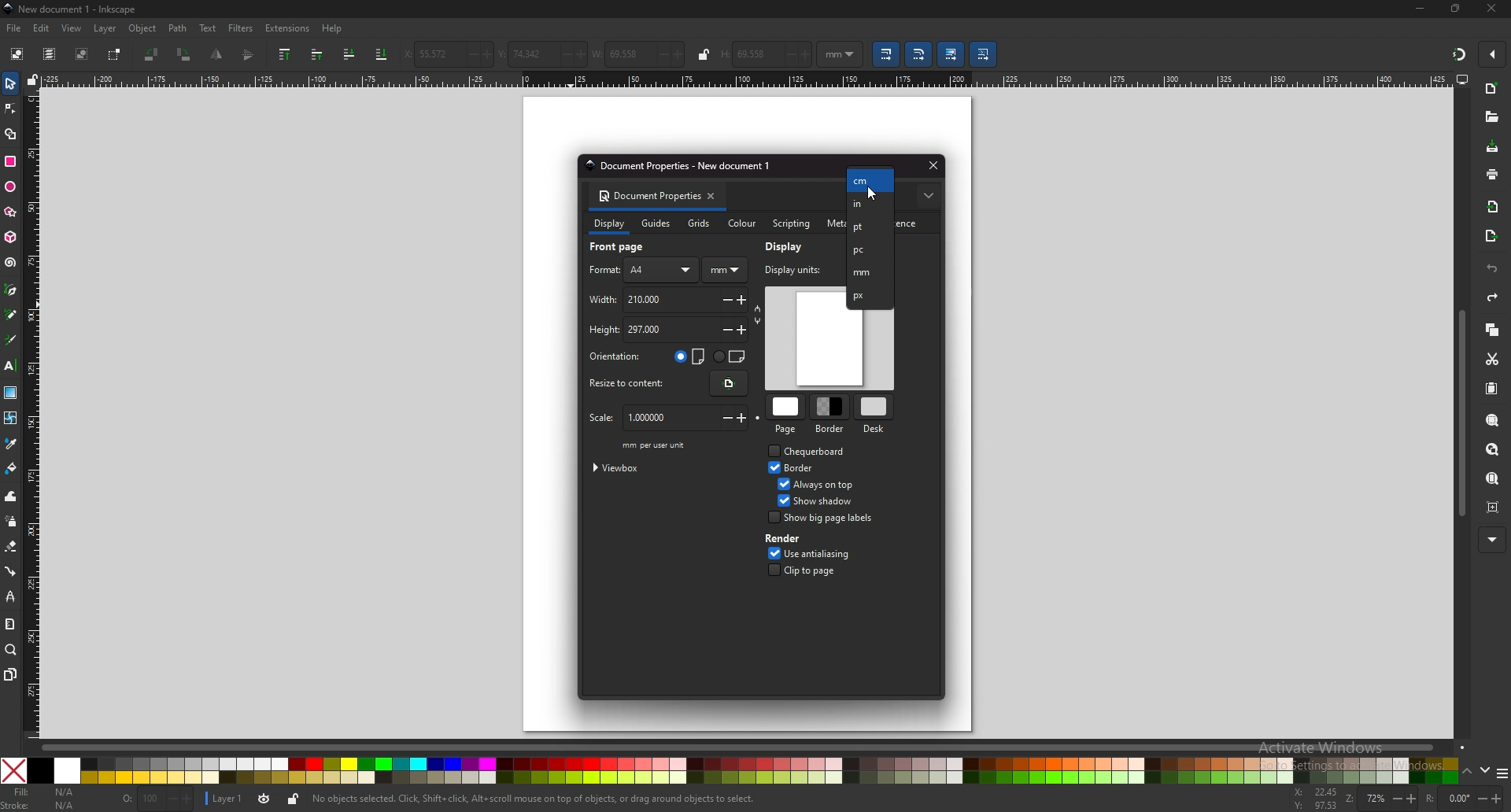 The width and height of the screenshot is (1511, 812). I want to click on desk, so click(873, 415).